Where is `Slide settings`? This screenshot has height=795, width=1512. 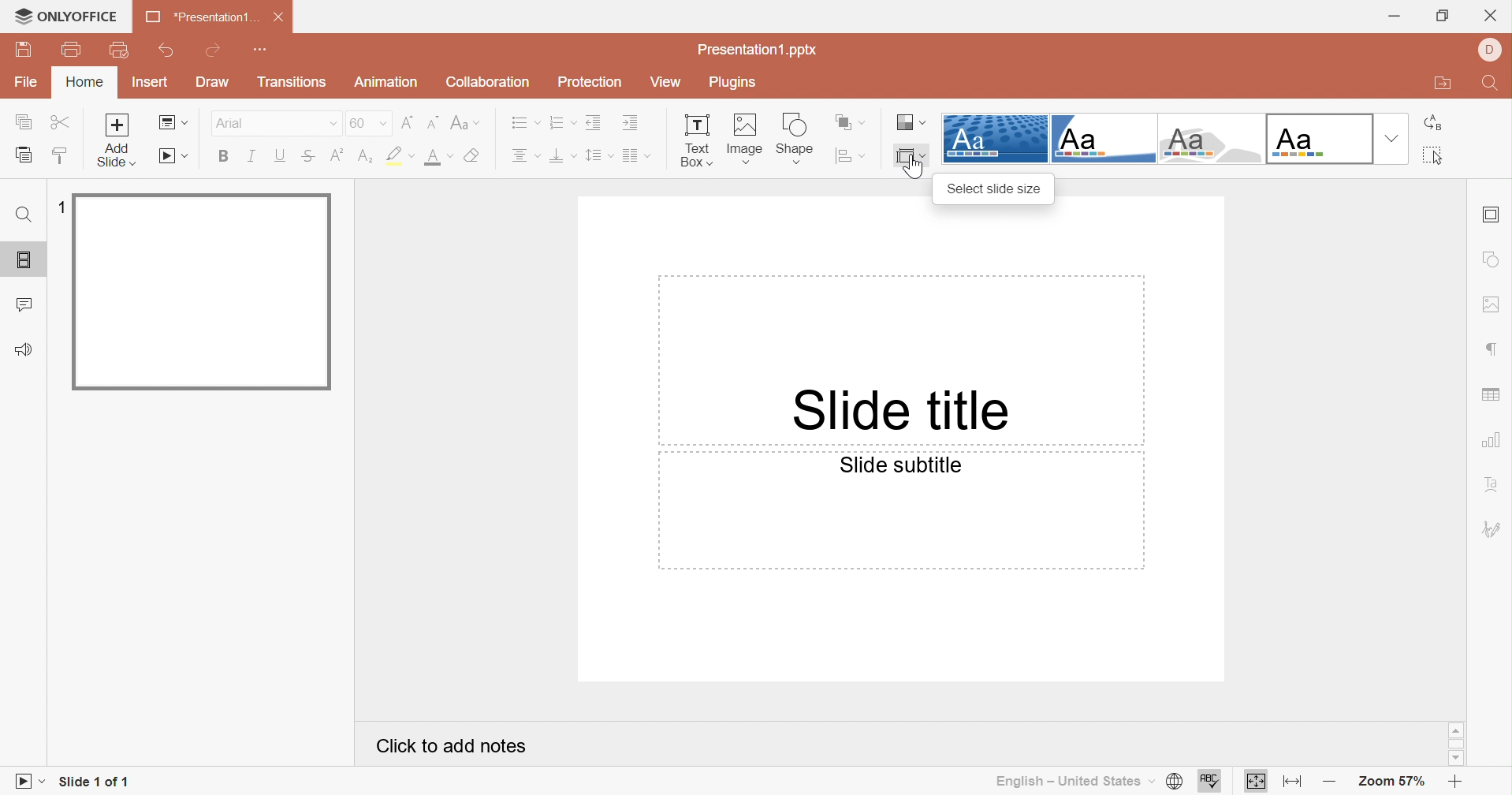 Slide settings is located at coordinates (1492, 215).